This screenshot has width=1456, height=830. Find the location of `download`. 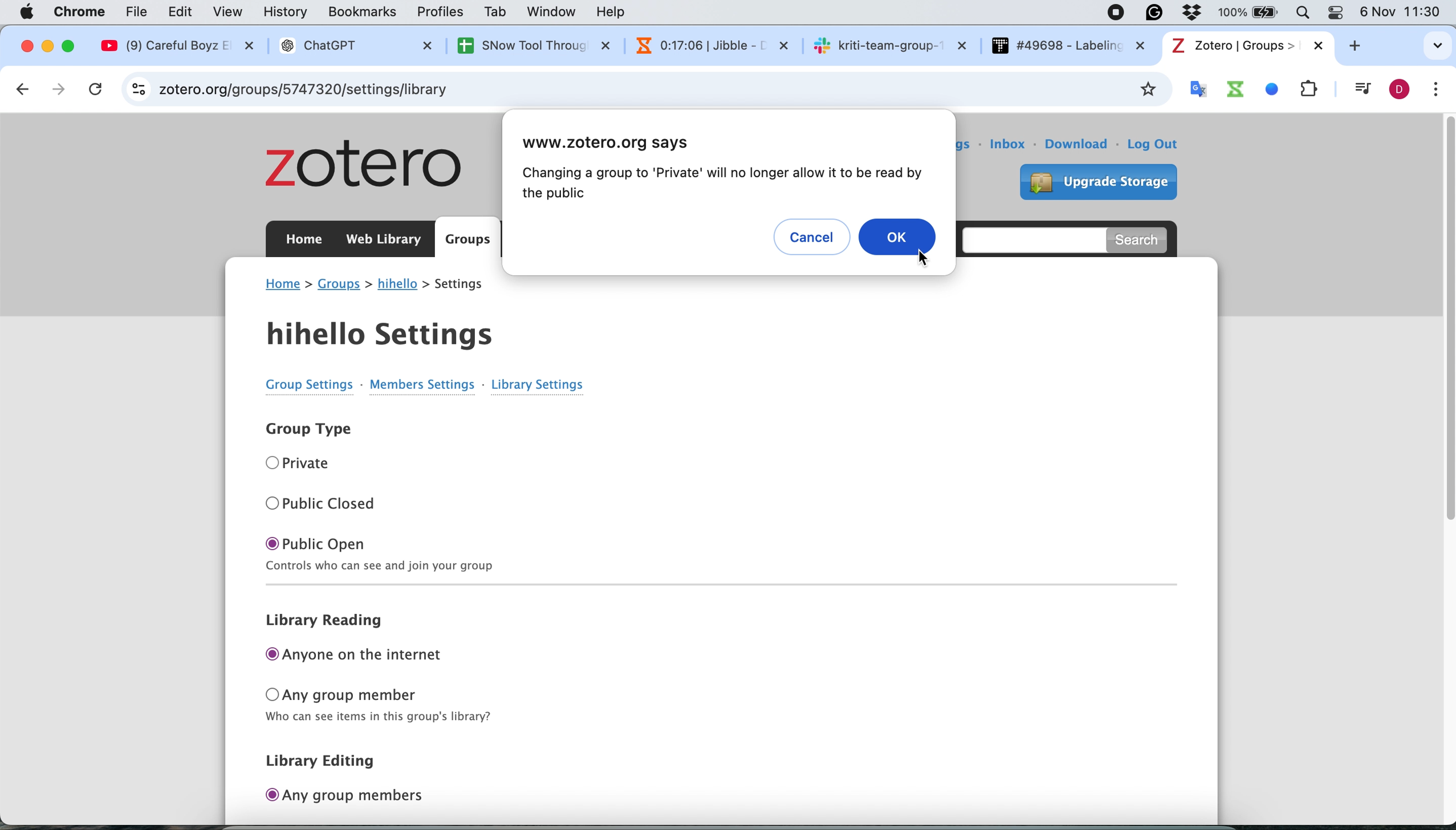

download is located at coordinates (1079, 144).